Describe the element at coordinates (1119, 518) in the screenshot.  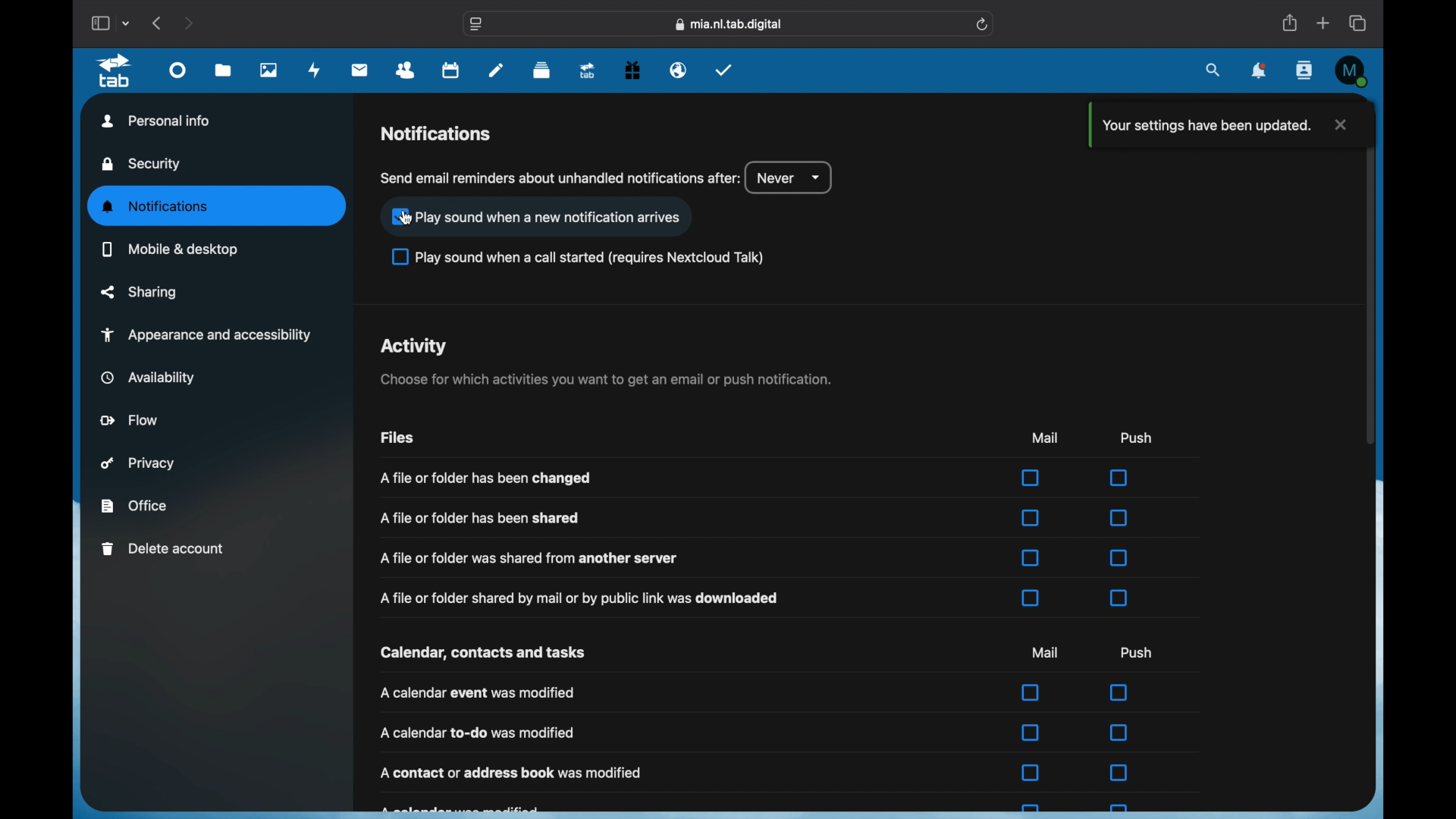
I see `checkbox` at that location.